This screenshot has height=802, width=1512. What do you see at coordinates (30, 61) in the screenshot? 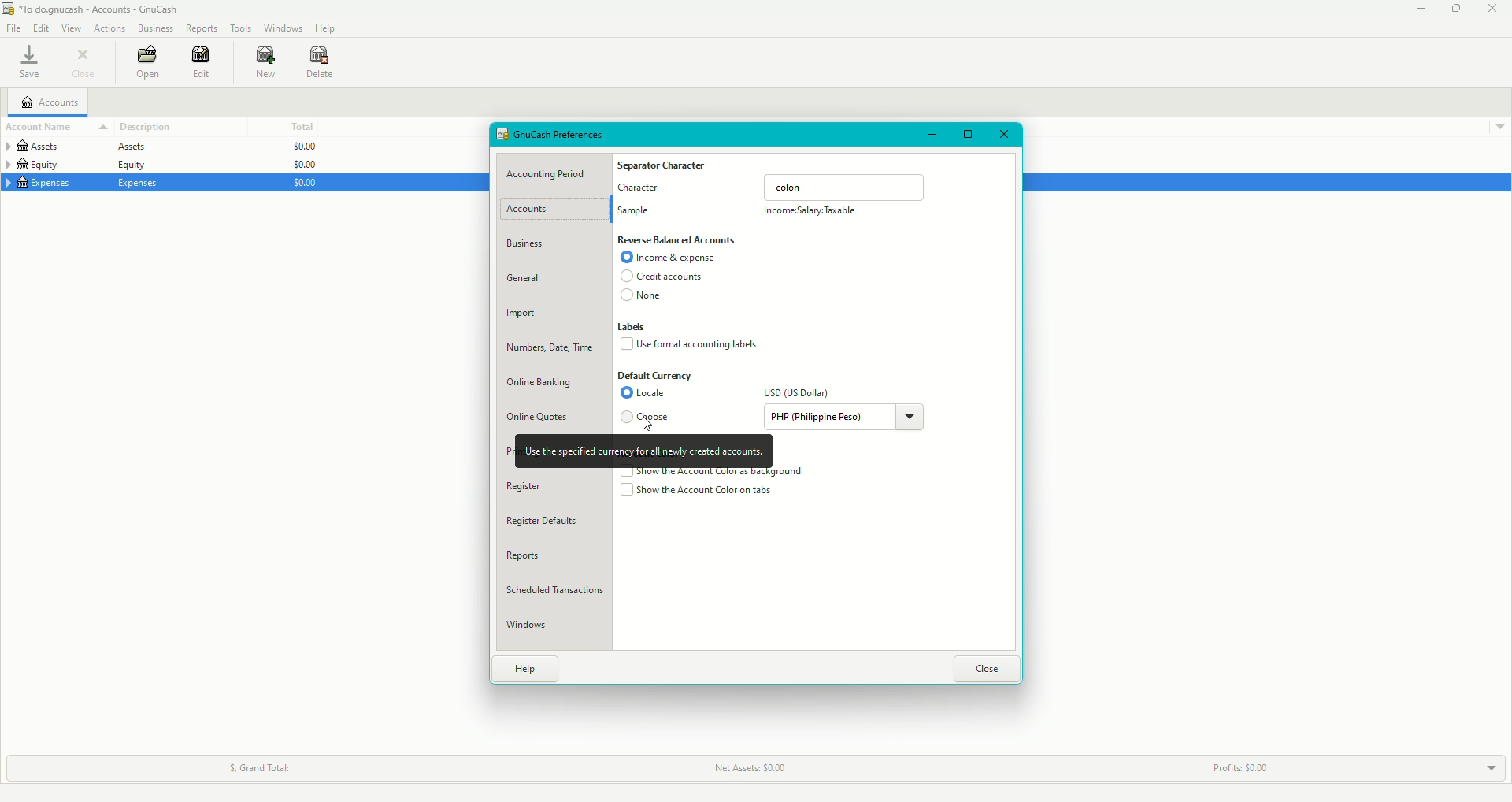
I see `Save` at bounding box center [30, 61].